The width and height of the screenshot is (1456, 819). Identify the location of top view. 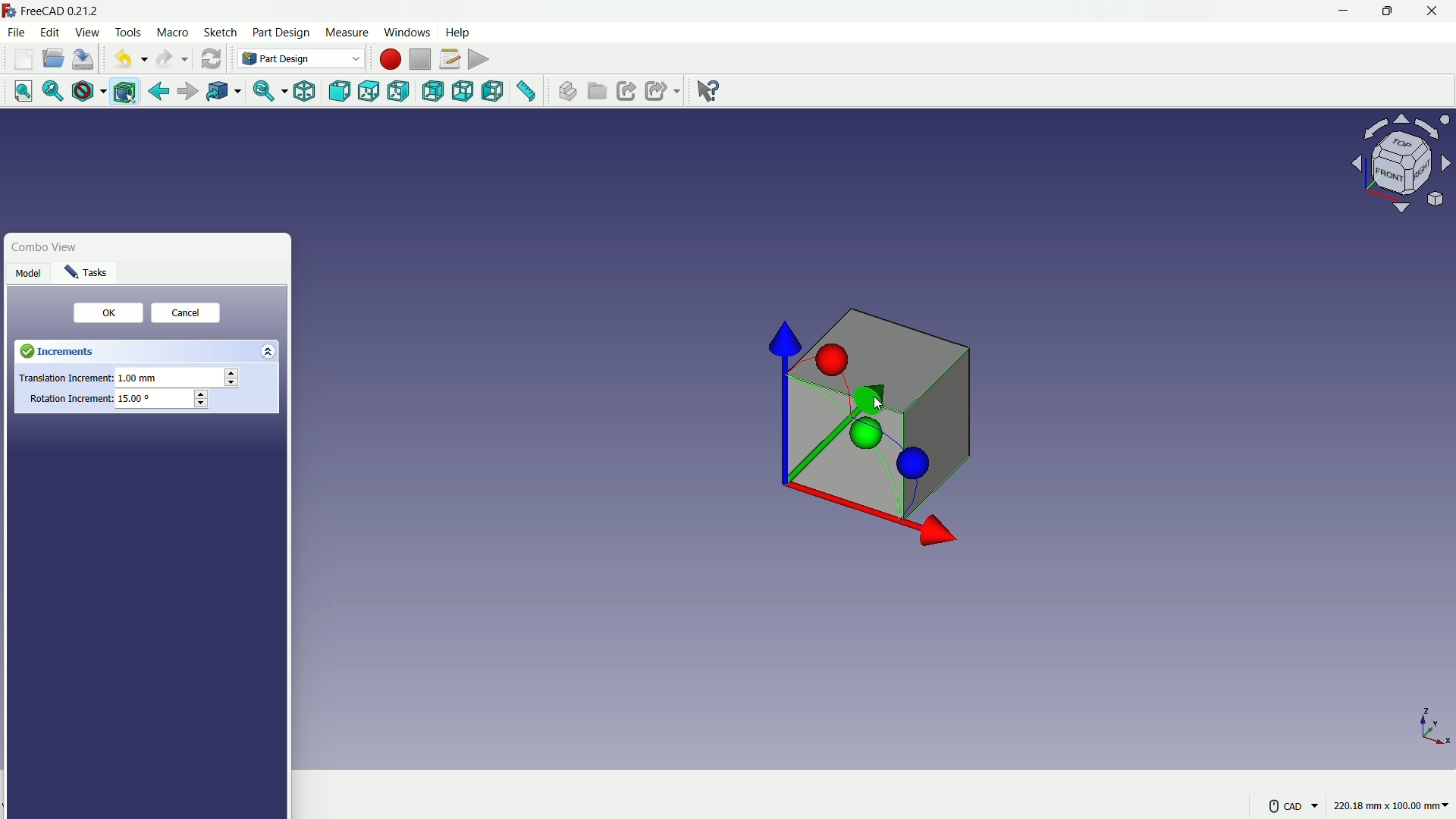
(372, 91).